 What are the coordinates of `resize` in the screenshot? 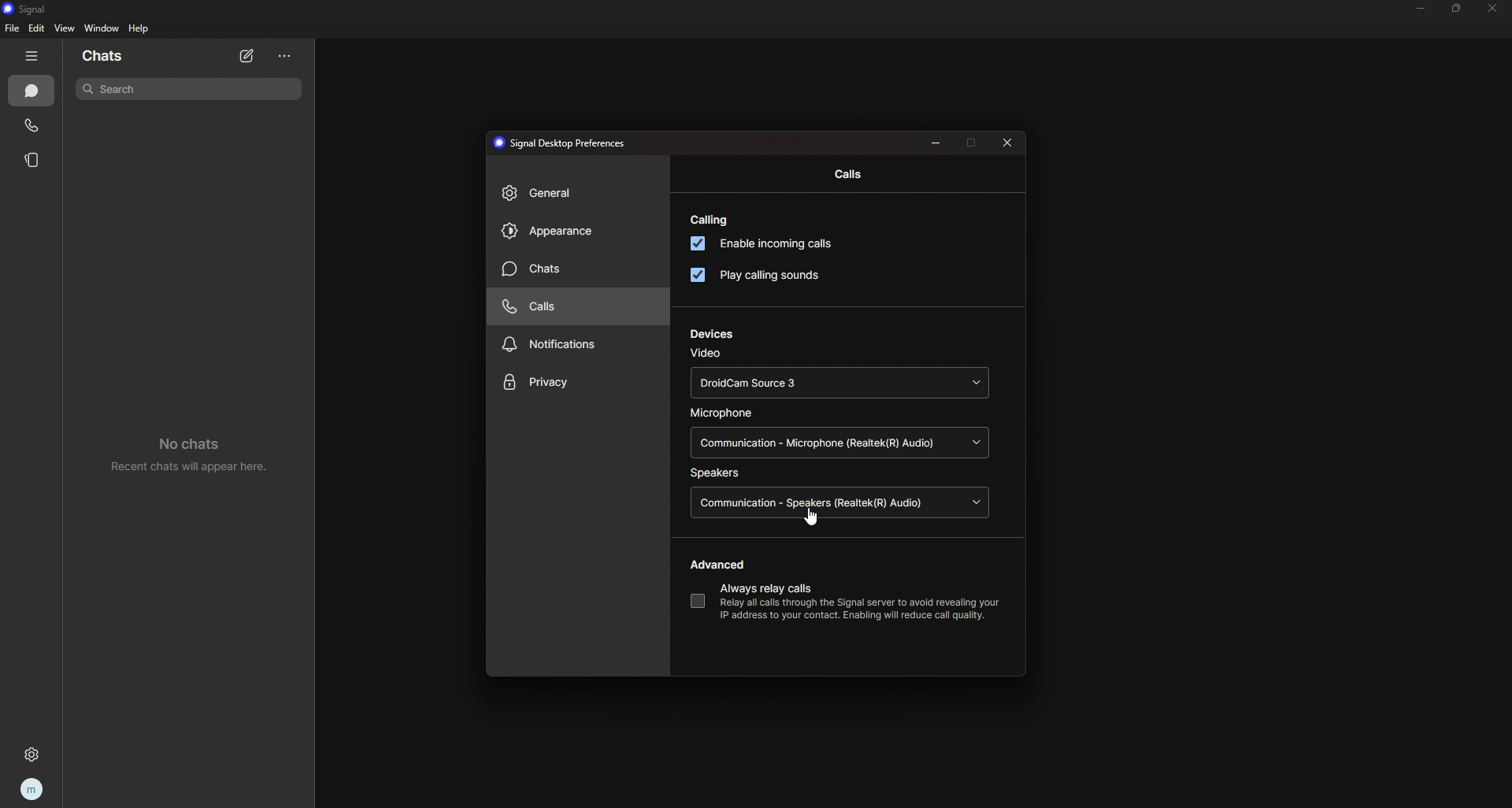 It's located at (1458, 8).